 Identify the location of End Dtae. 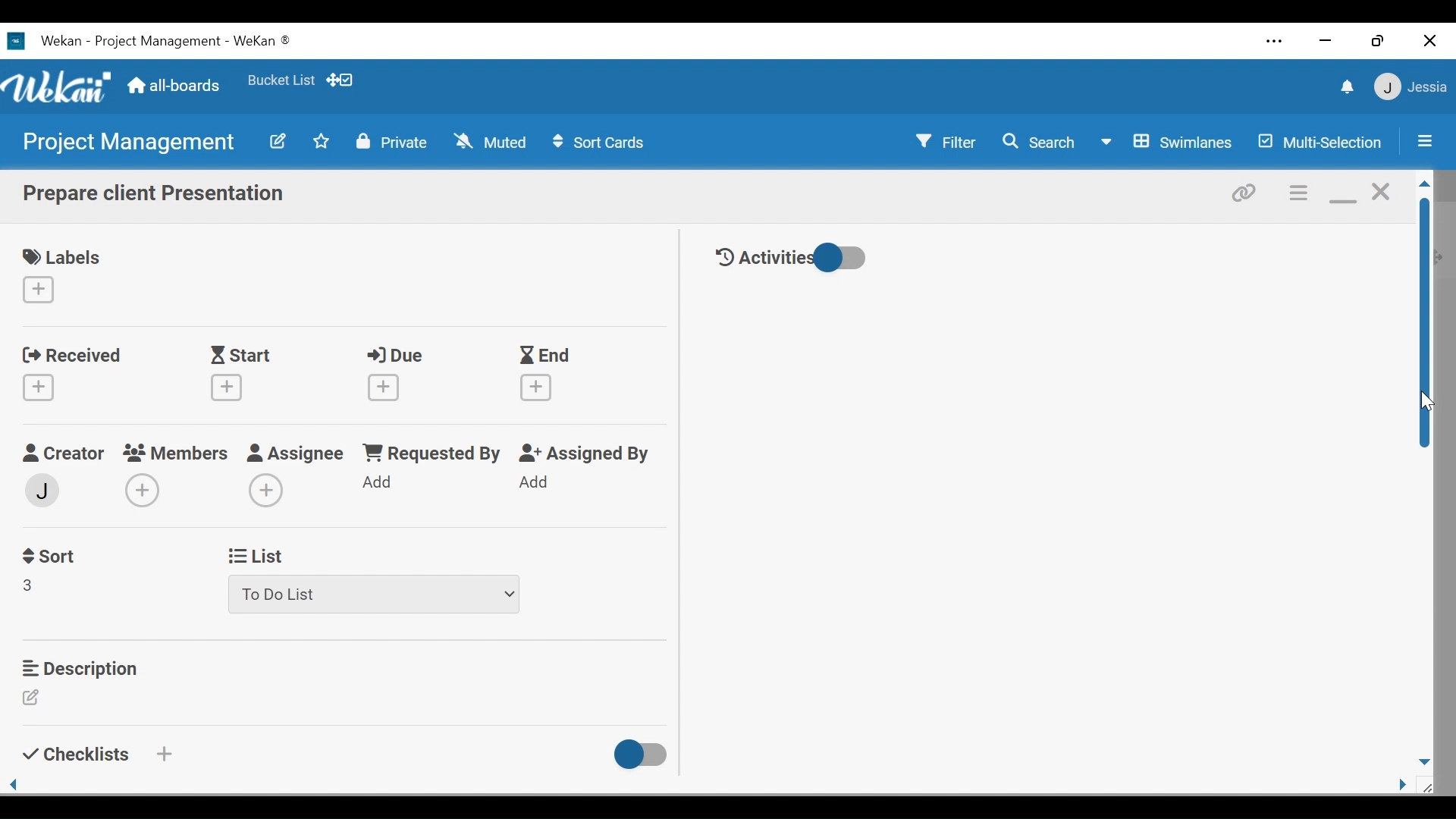
(545, 354).